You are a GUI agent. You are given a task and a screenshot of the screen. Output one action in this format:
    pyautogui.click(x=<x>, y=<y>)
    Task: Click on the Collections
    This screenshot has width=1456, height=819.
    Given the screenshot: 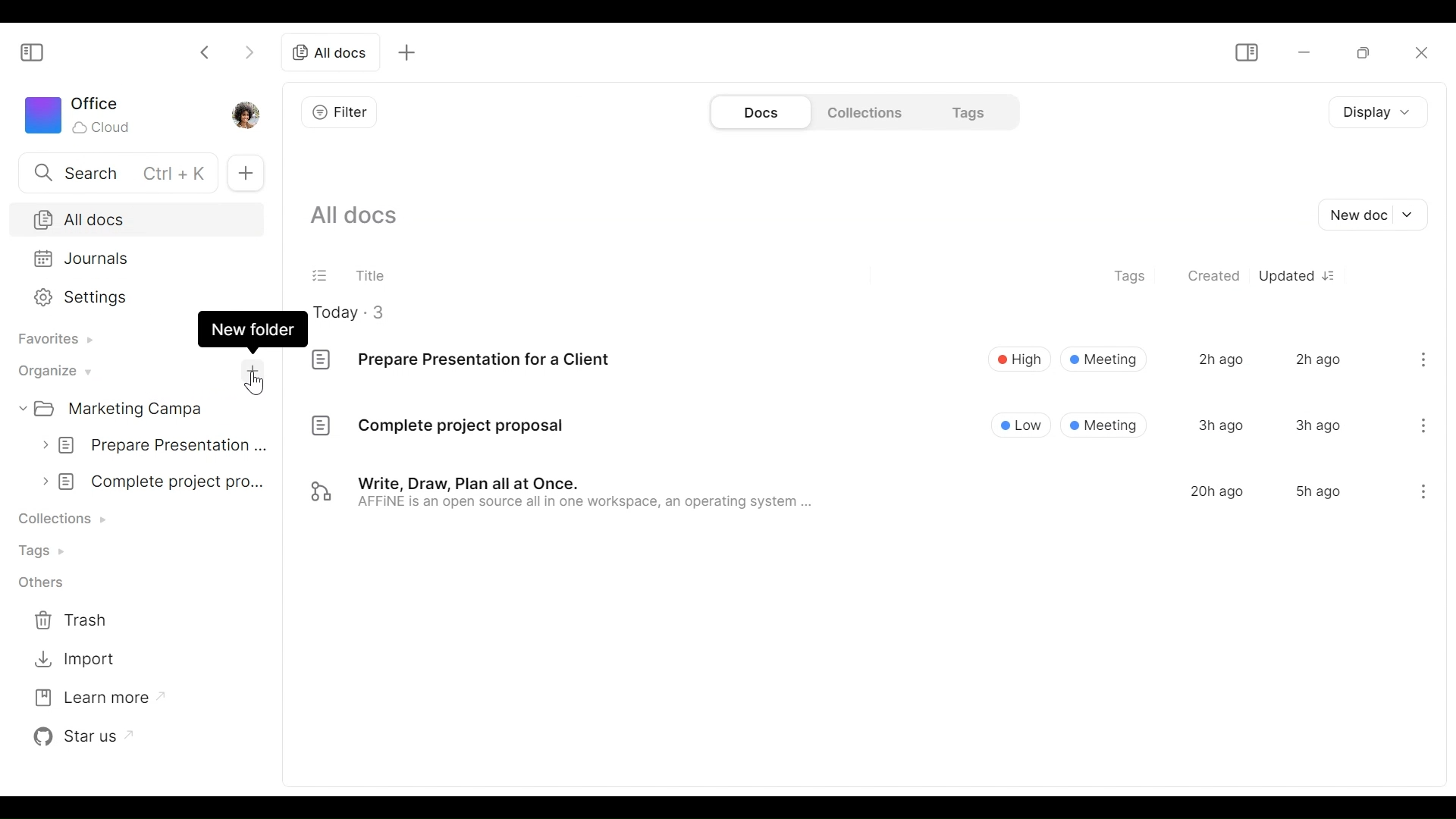 What is the action you would take?
    pyautogui.click(x=862, y=111)
    